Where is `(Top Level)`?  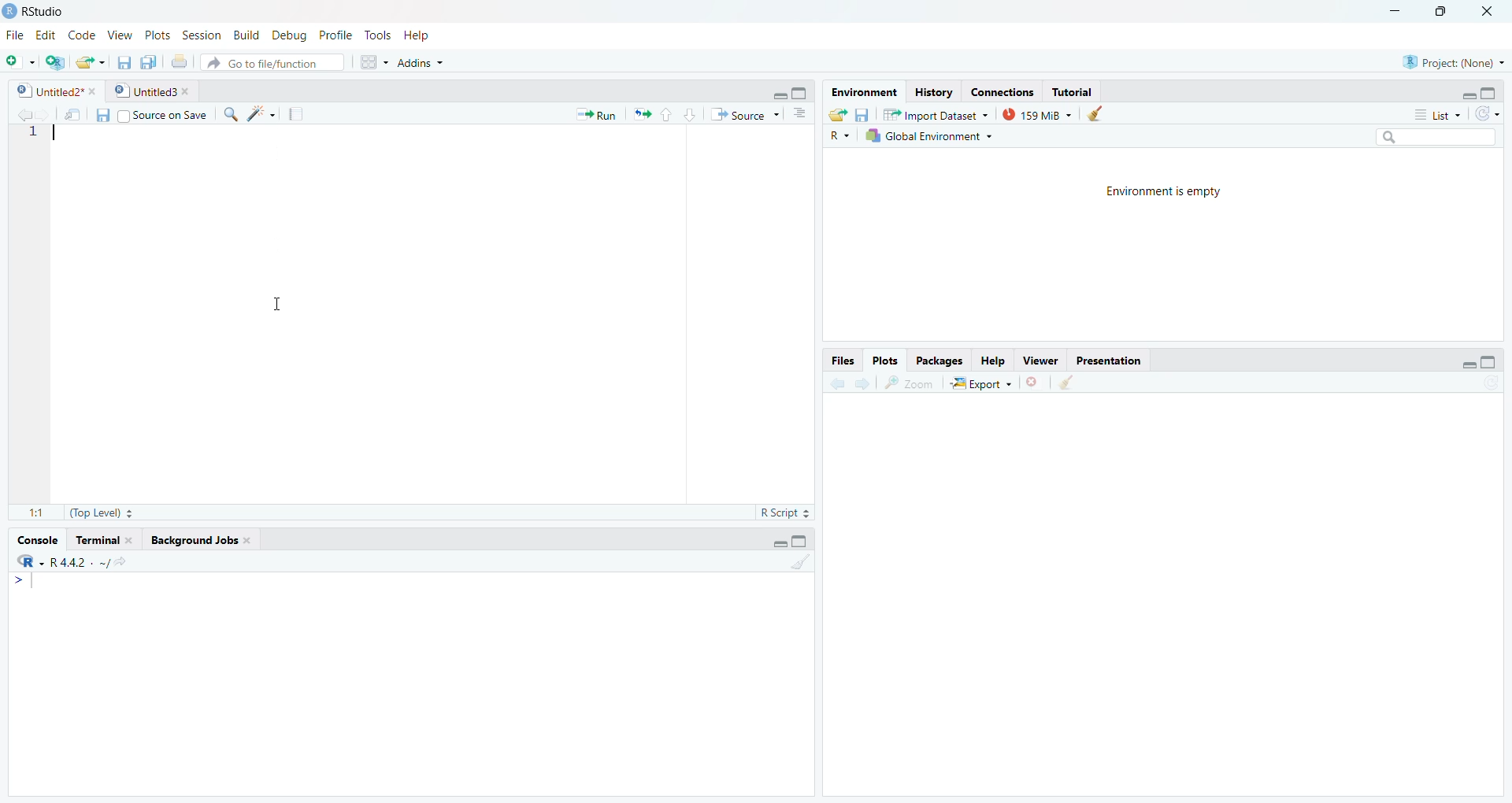 (Top Level) is located at coordinates (100, 513).